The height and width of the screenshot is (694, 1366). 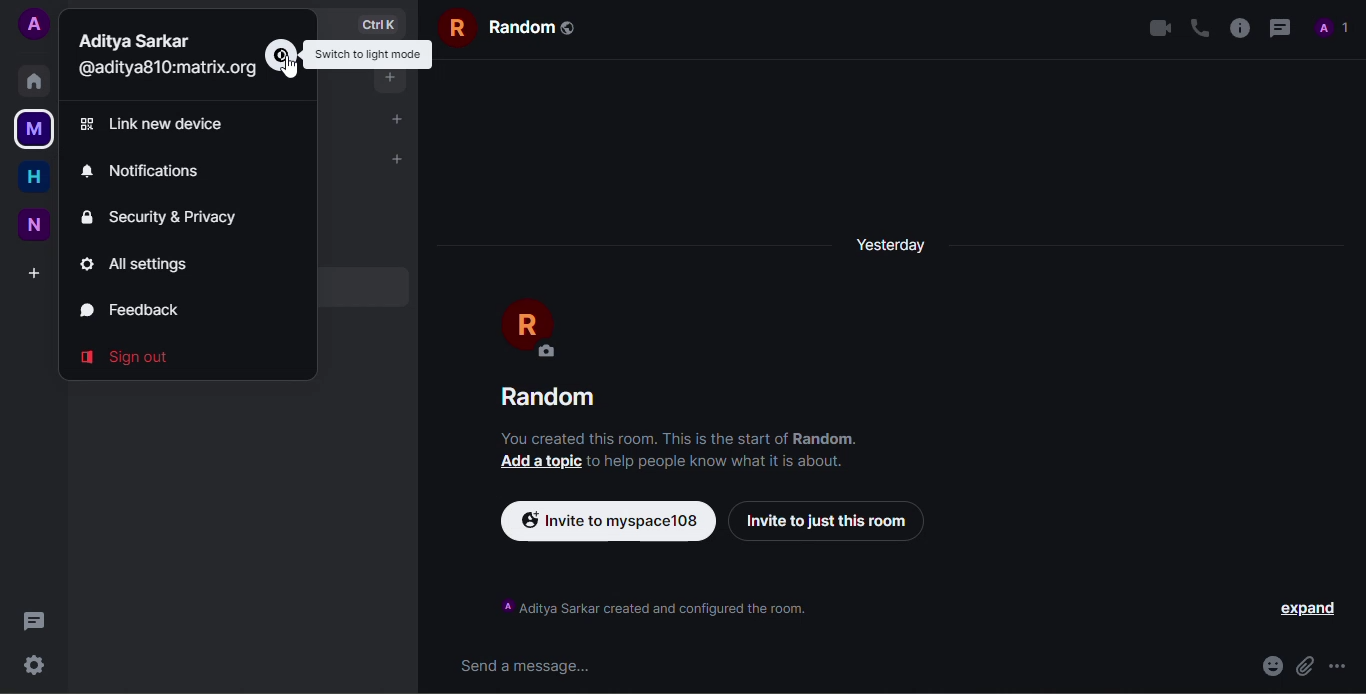 I want to click on dark mode, so click(x=880, y=135).